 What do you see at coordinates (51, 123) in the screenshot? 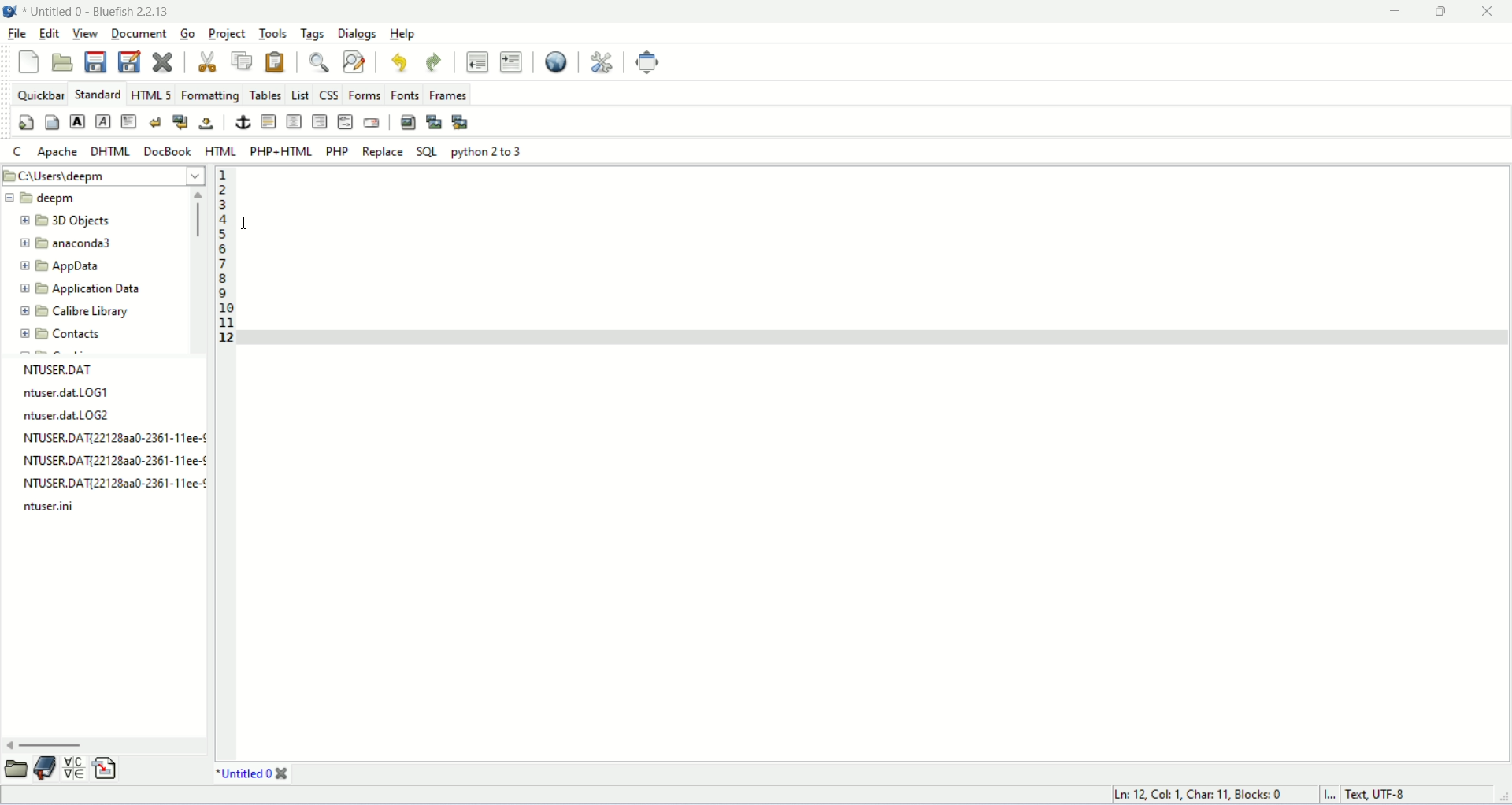
I see `body` at bounding box center [51, 123].